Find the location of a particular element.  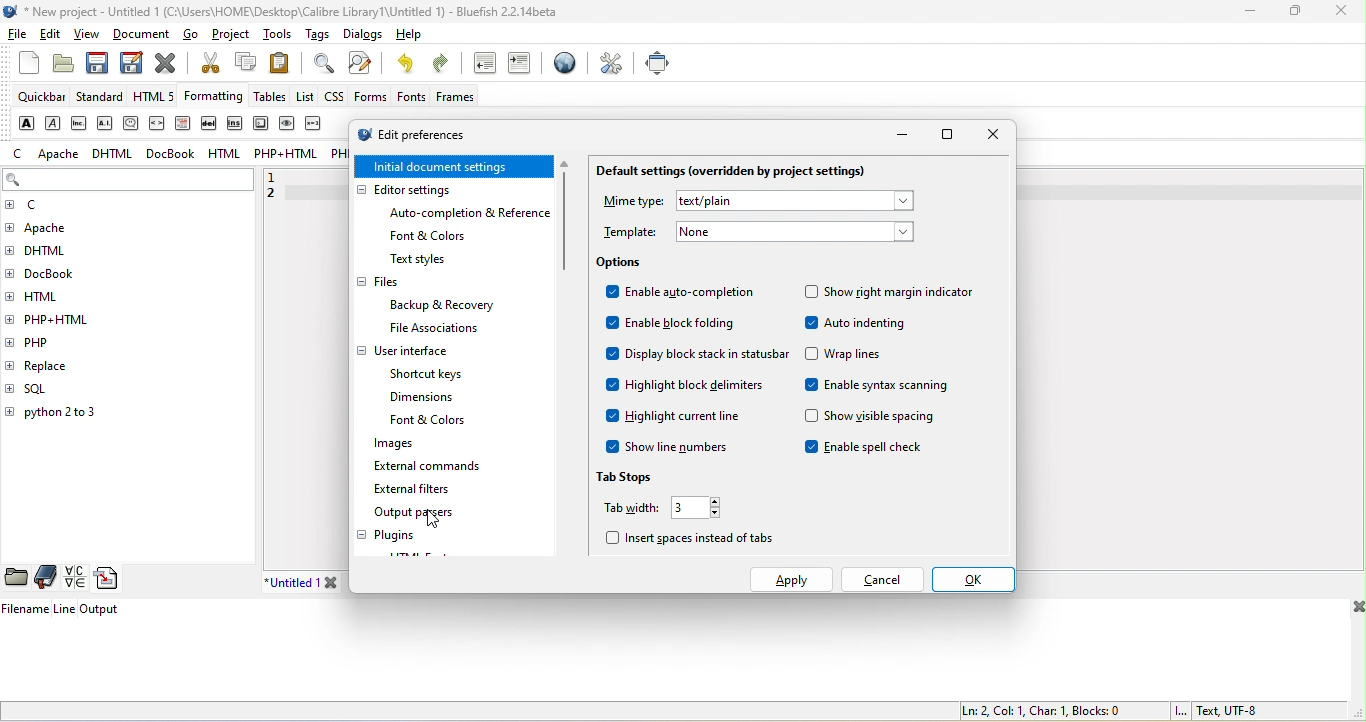

cancel is located at coordinates (882, 579).